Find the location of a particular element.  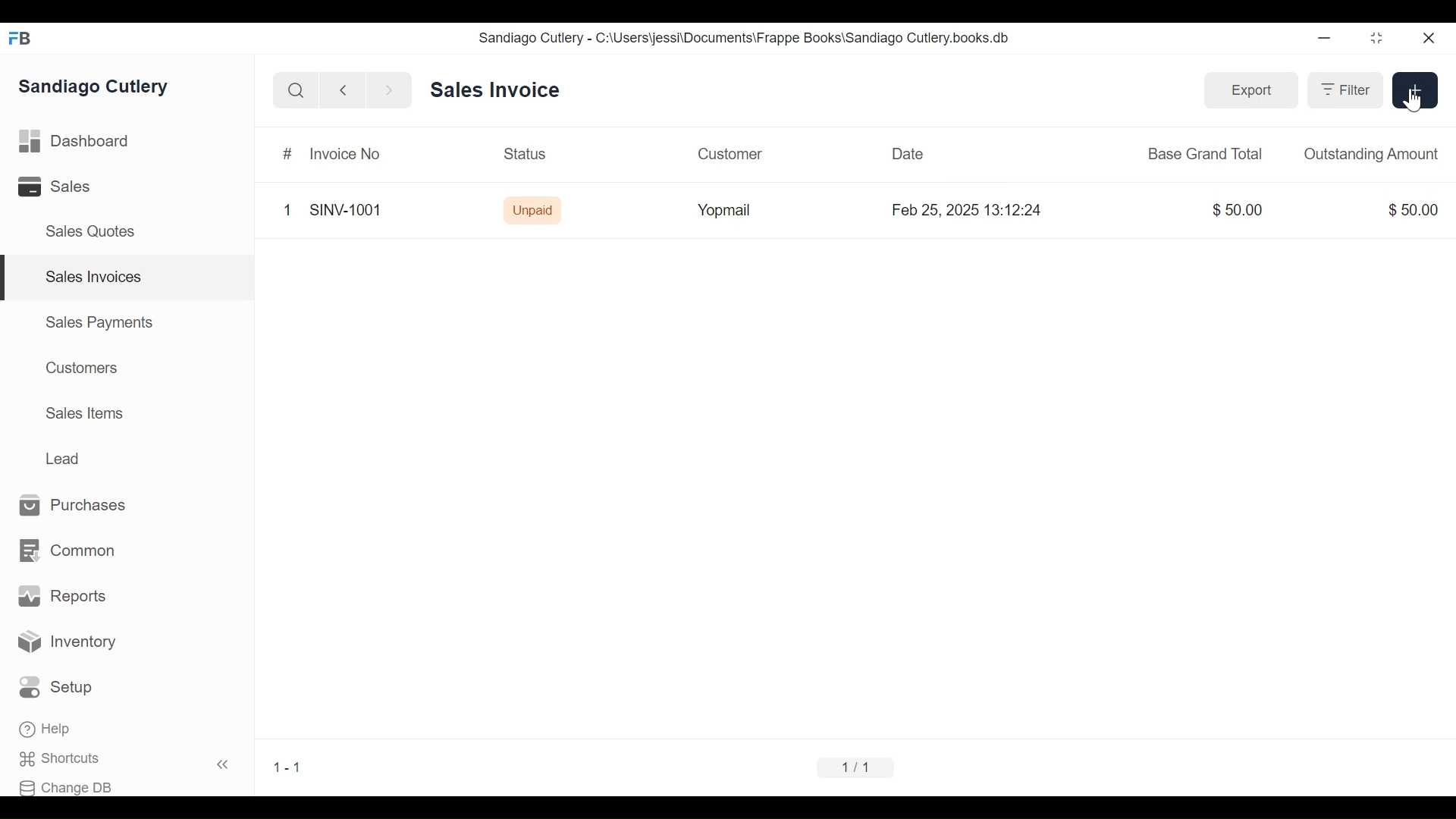

Unpaid is located at coordinates (529, 212).